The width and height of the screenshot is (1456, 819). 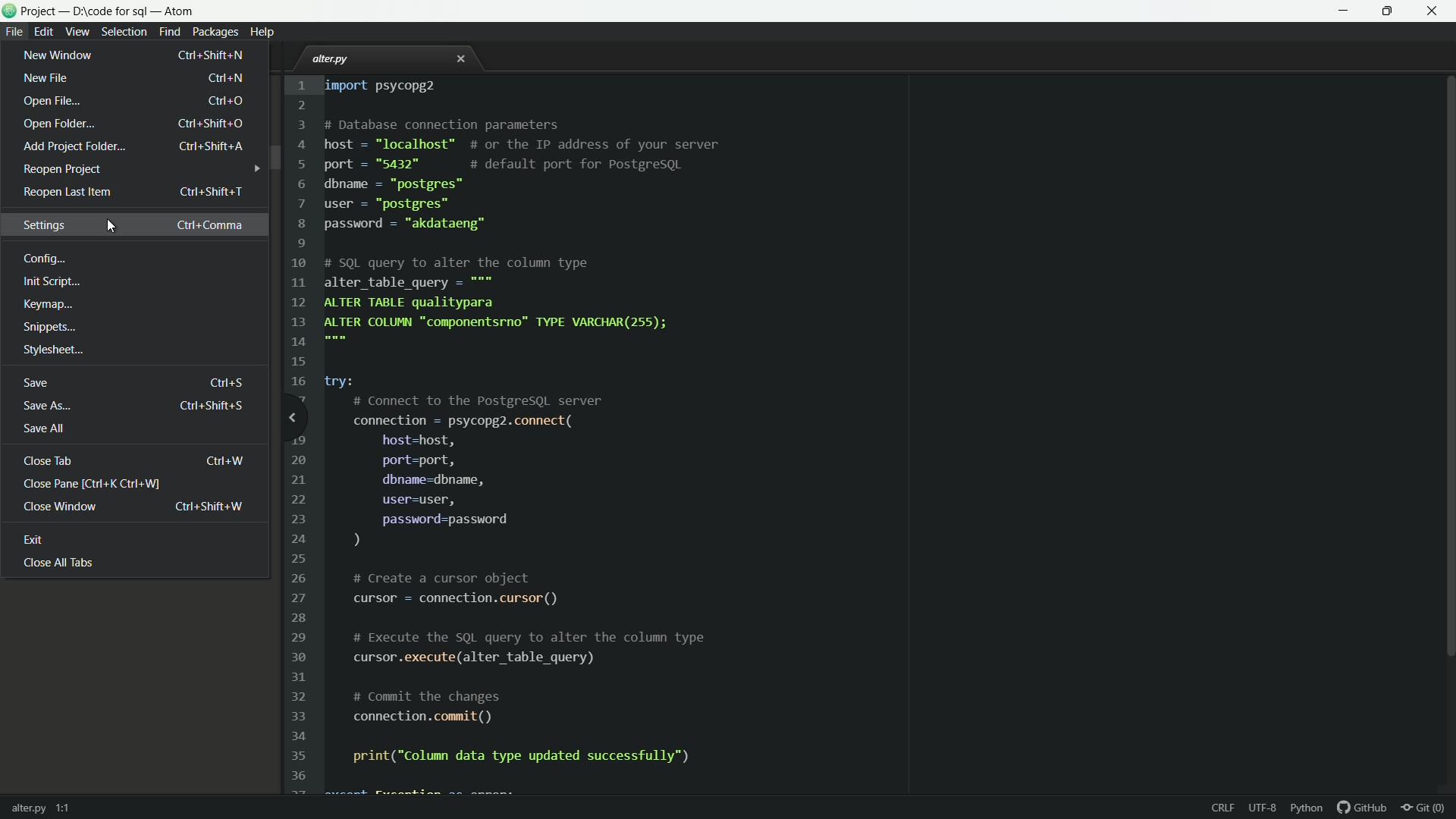 I want to click on close app, so click(x=1437, y=11).